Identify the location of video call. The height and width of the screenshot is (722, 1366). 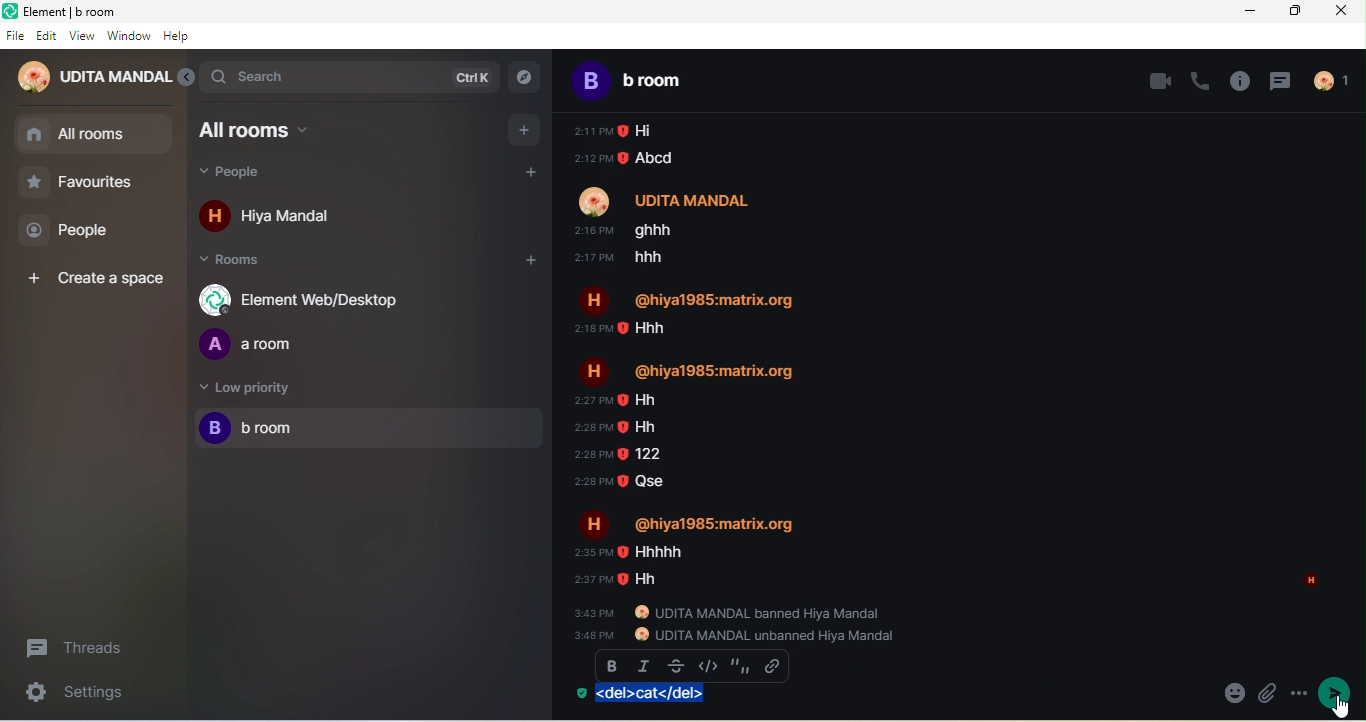
(1159, 80).